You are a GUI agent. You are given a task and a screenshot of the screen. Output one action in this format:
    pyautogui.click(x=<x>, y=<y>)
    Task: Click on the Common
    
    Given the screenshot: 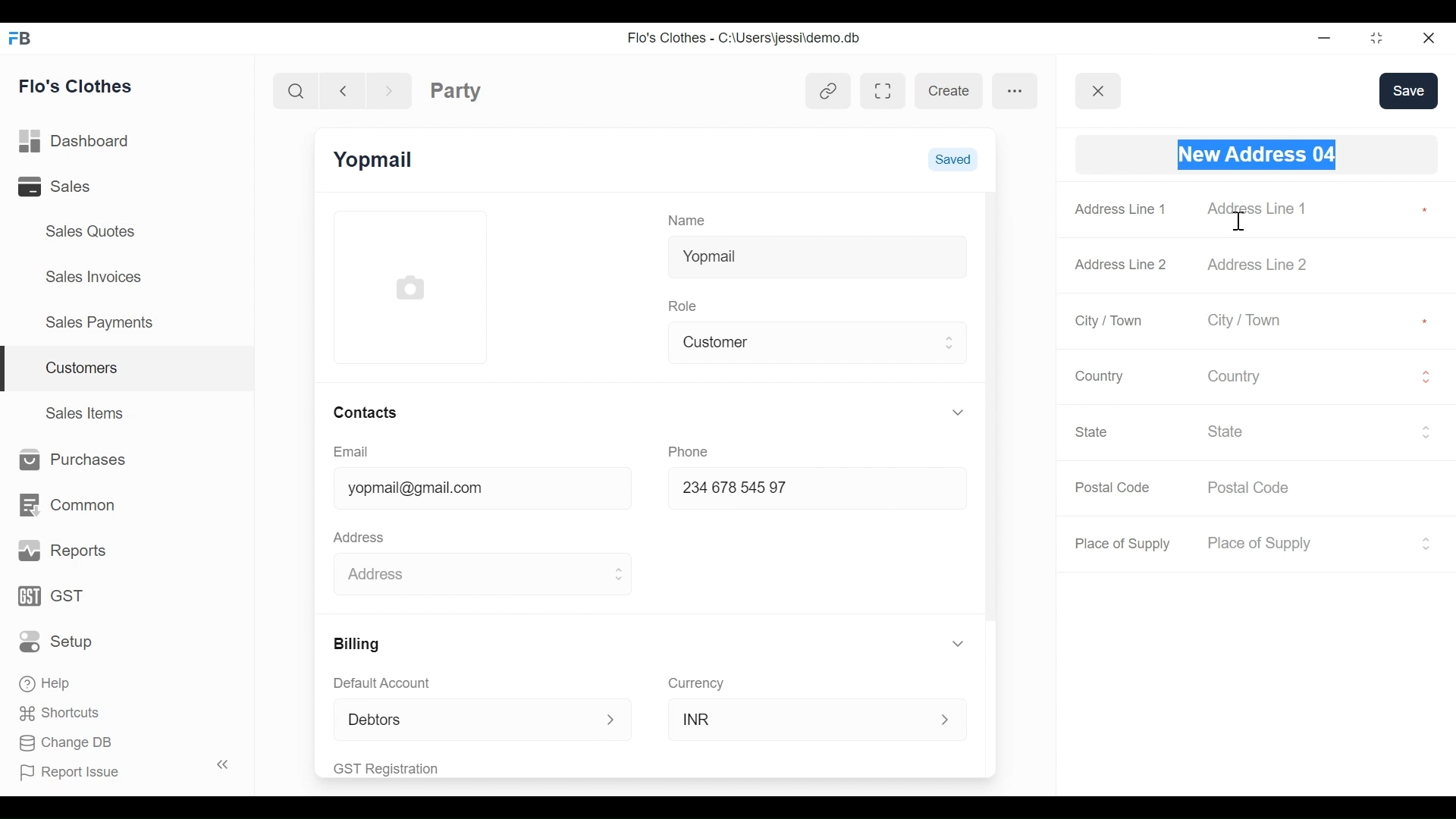 What is the action you would take?
    pyautogui.click(x=65, y=505)
    